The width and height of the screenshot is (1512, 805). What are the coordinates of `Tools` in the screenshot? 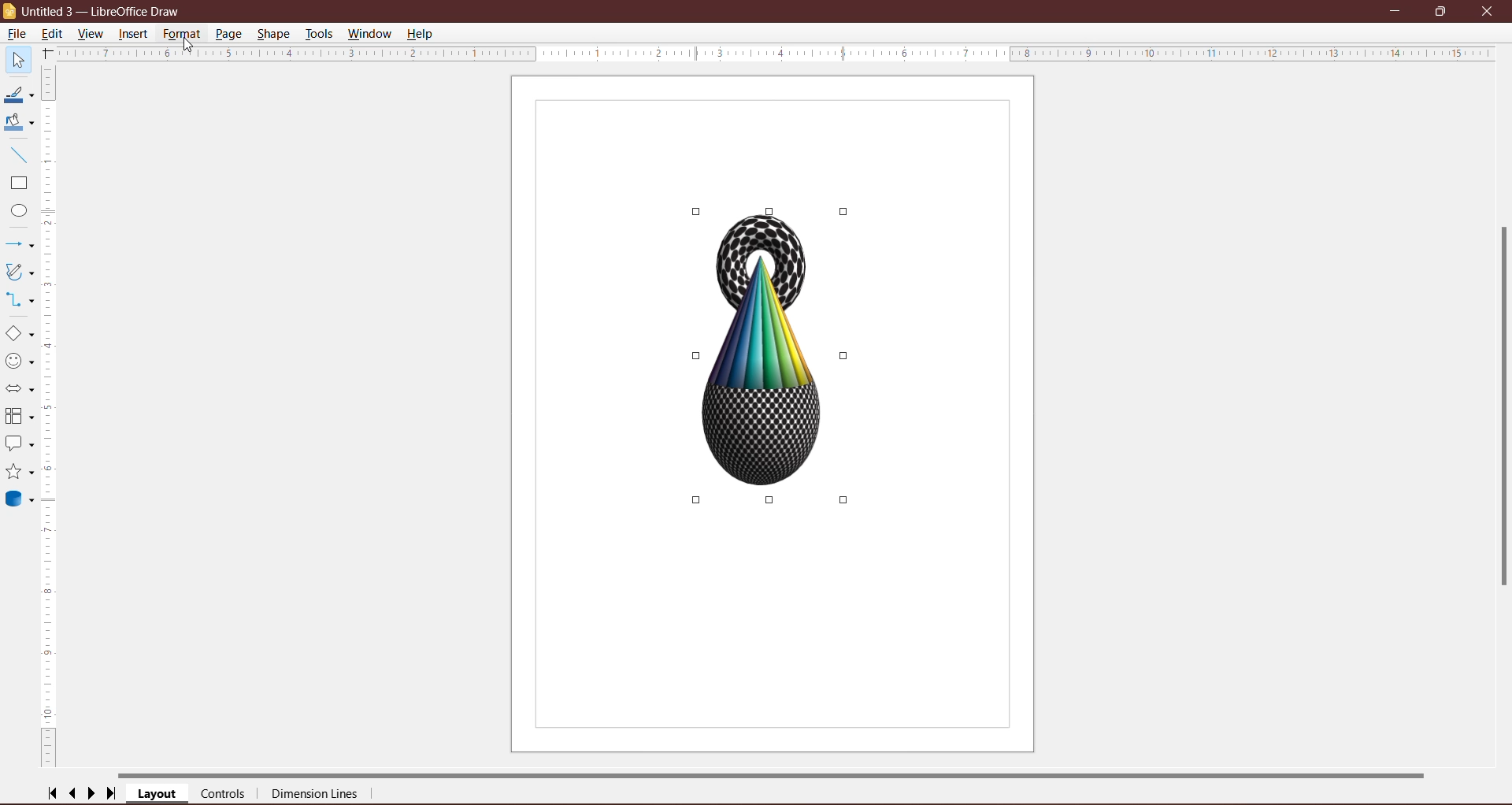 It's located at (320, 33).